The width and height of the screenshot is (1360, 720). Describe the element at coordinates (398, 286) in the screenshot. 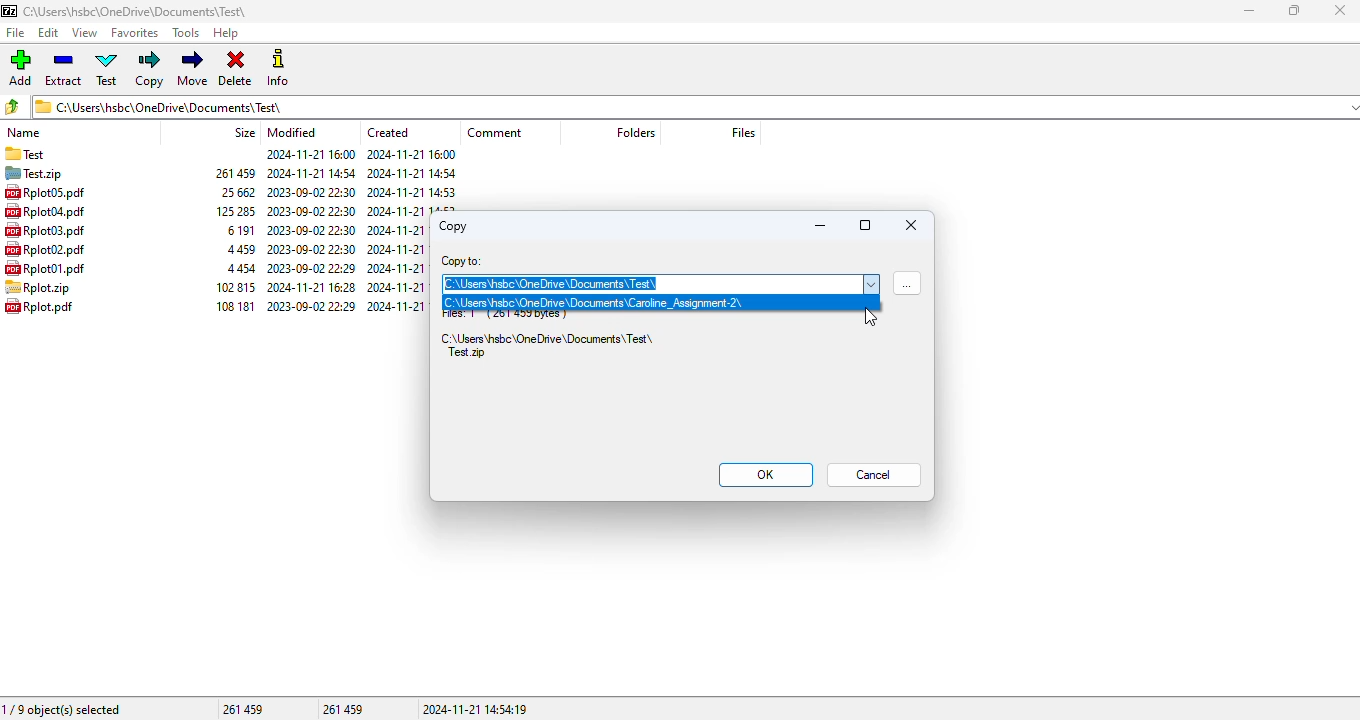

I see `created date & time` at that location.